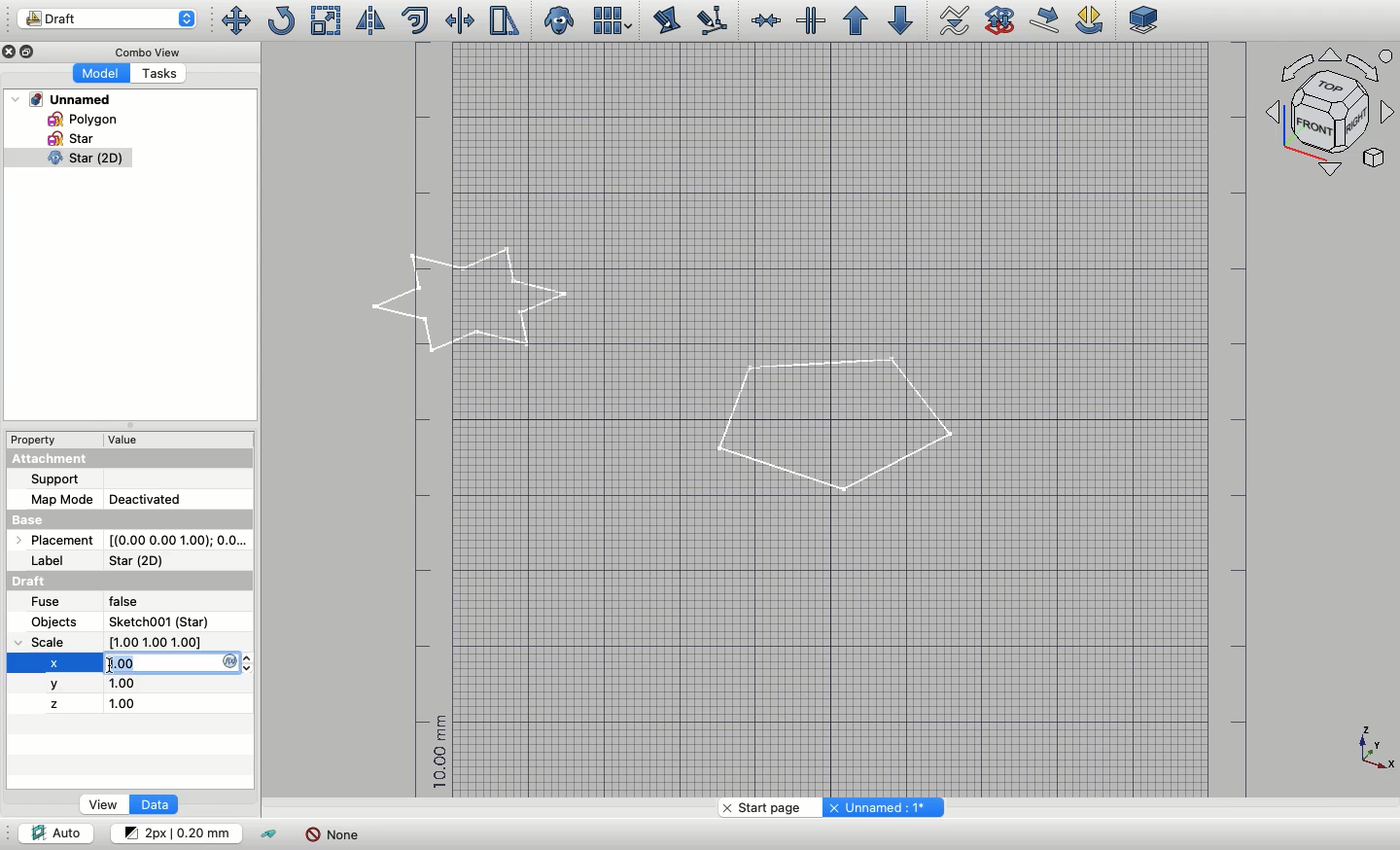 The width and height of the screenshot is (1400, 850). What do you see at coordinates (144, 51) in the screenshot?
I see `Combo view` at bounding box center [144, 51].